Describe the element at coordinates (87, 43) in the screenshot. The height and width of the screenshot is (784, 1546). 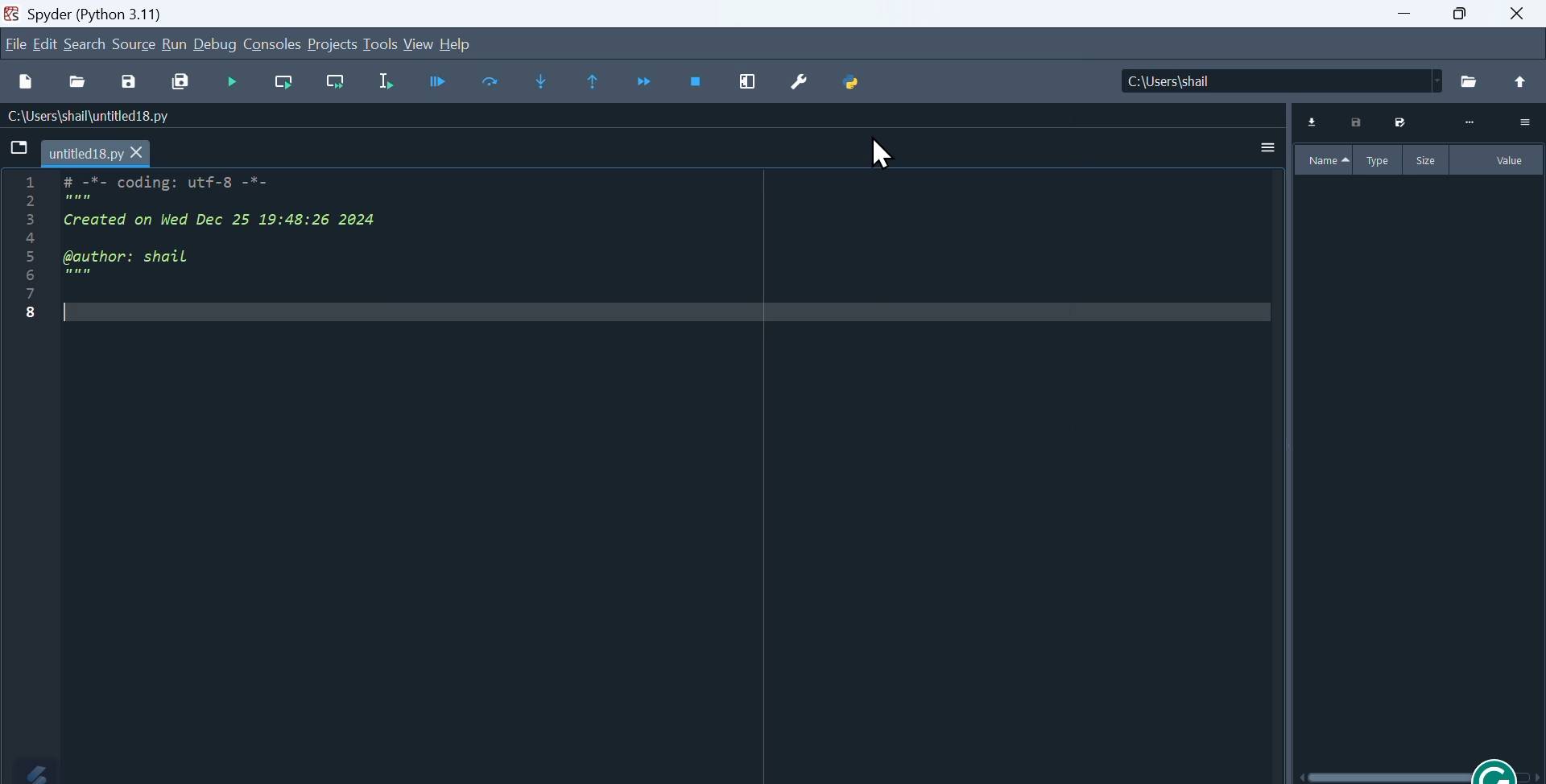
I see `Search` at that location.